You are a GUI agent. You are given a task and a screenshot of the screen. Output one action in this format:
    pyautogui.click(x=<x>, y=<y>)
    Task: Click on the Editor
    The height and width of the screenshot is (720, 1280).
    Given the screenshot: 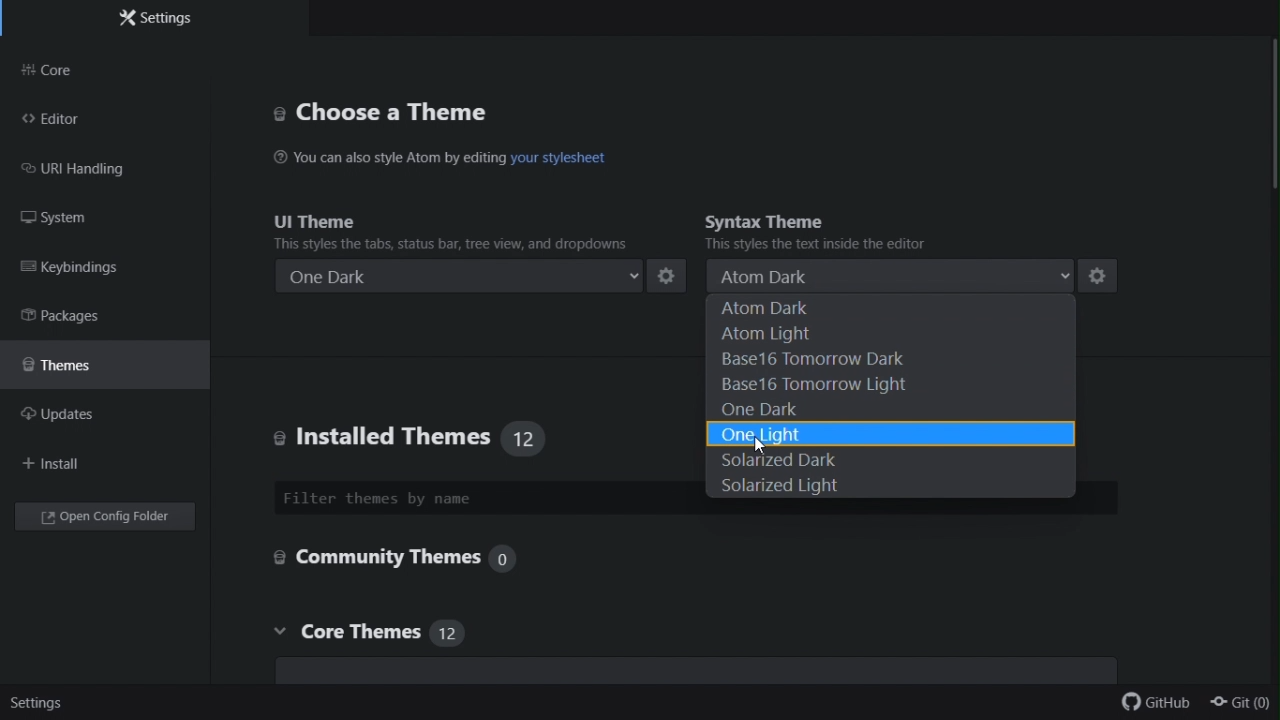 What is the action you would take?
    pyautogui.click(x=55, y=118)
    